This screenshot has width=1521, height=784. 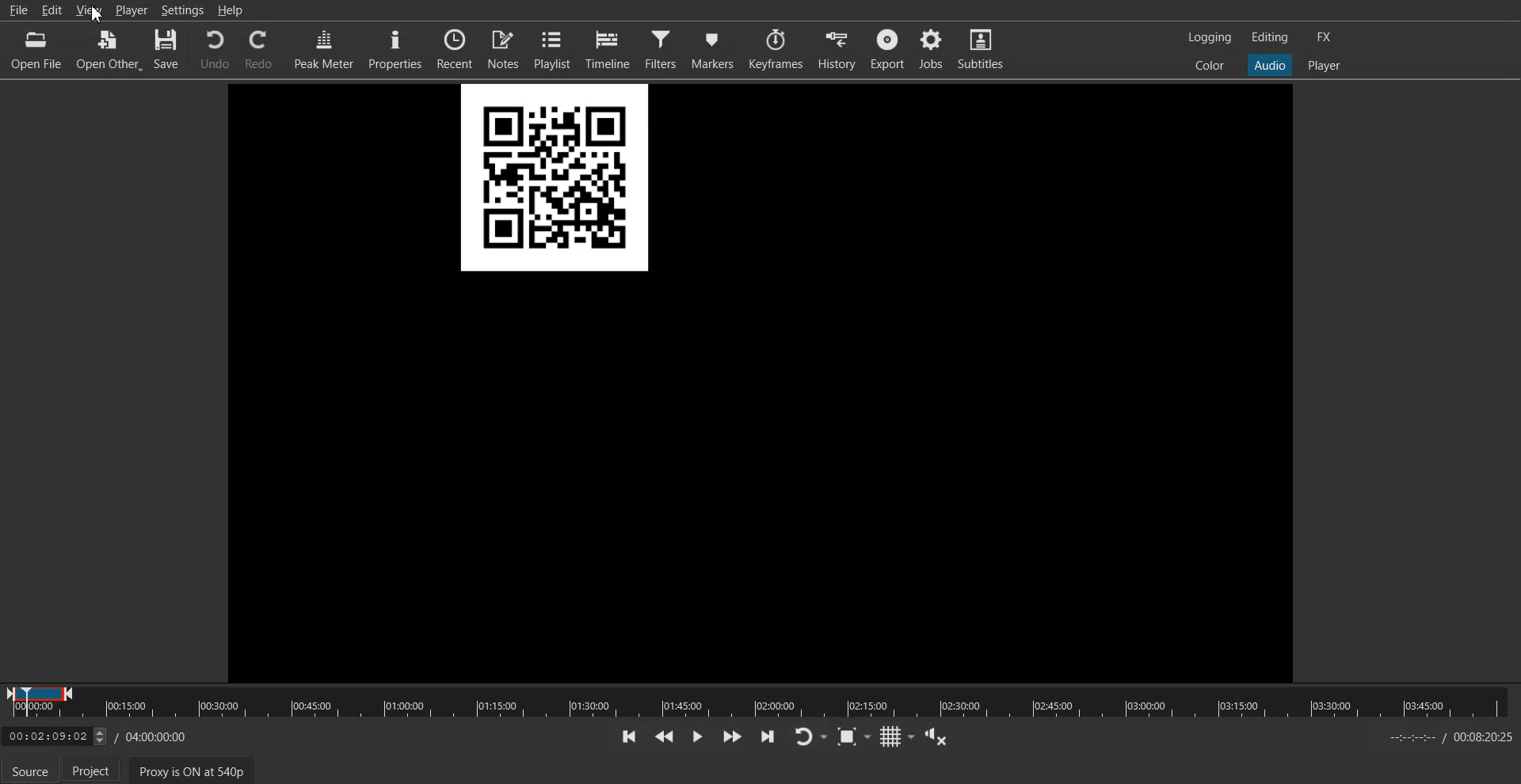 I want to click on Show the volume control, so click(x=938, y=736).